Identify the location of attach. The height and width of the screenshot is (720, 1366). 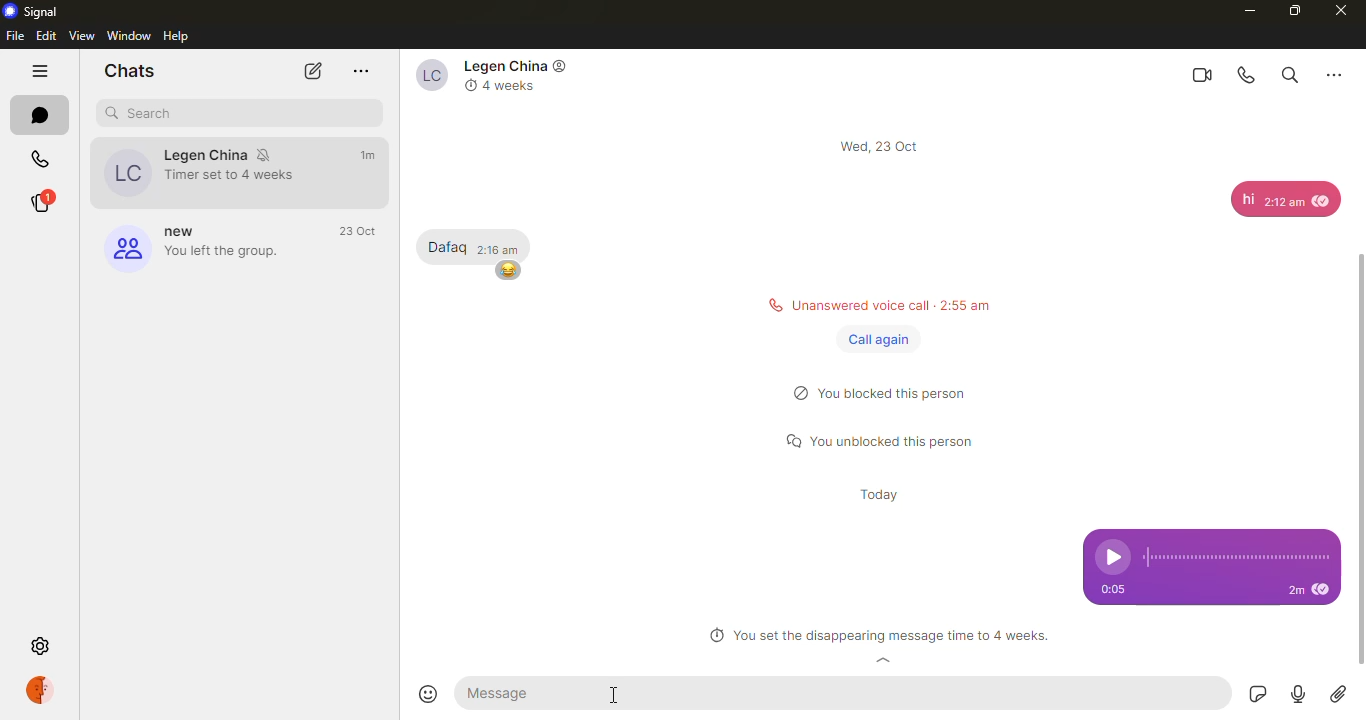
(1338, 694).